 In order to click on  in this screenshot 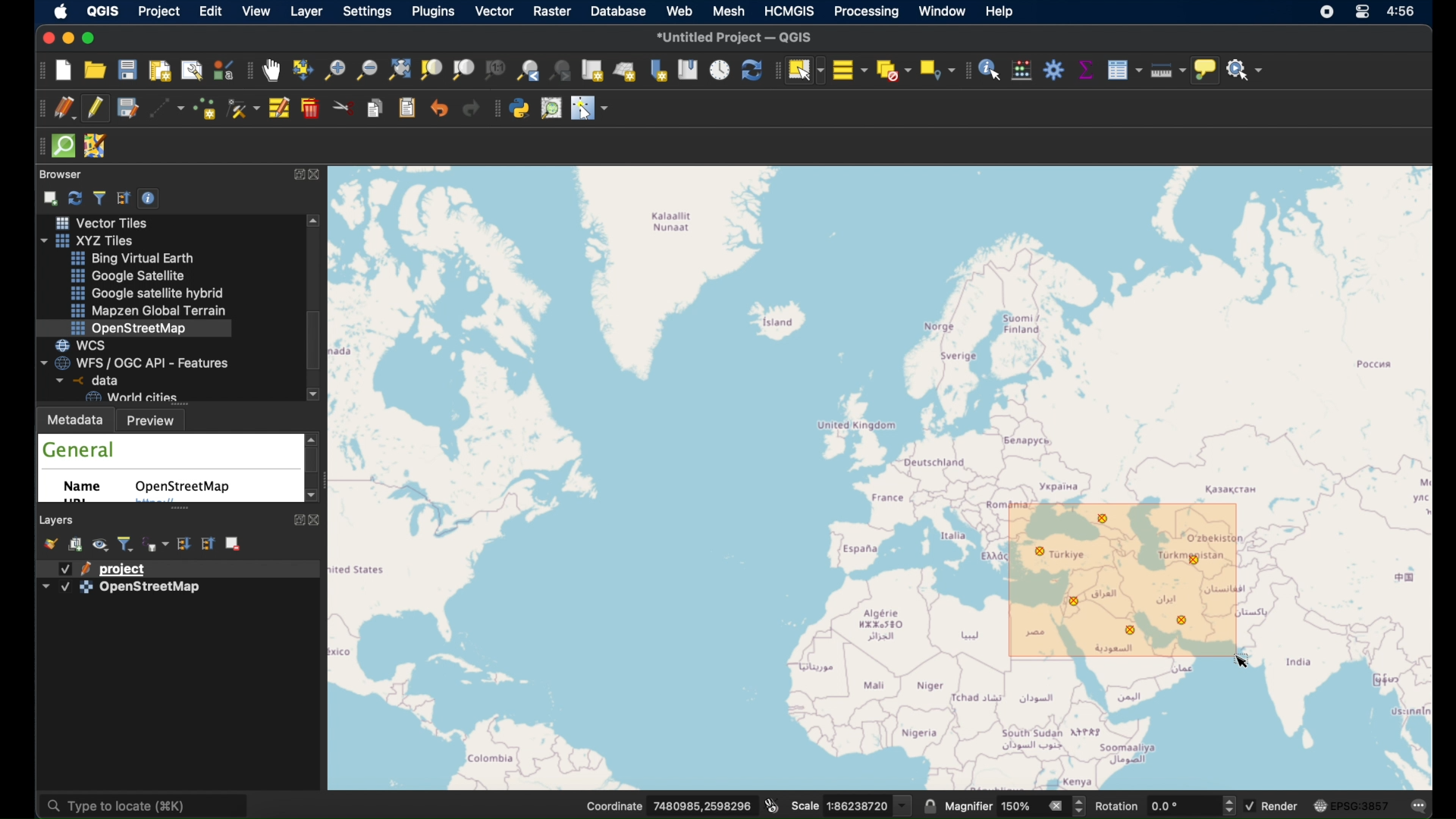, I will do `click(158, 11)`.